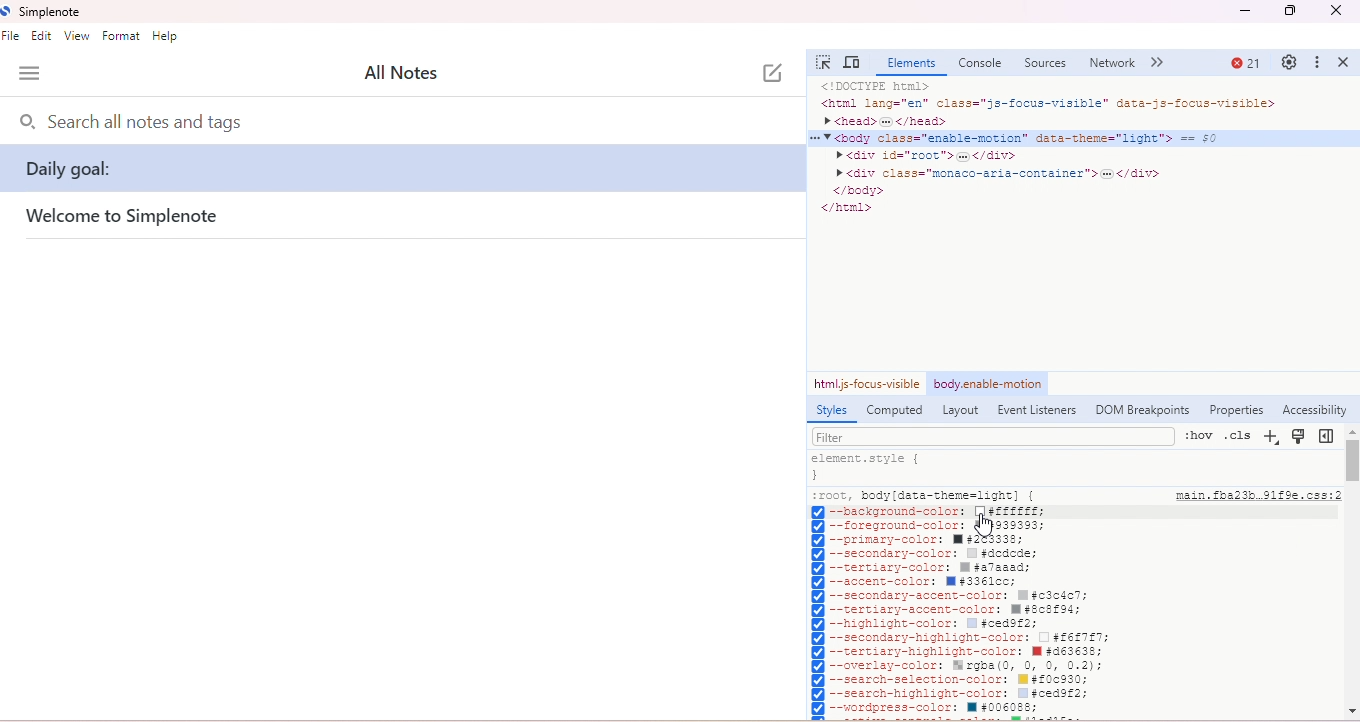 The image size is (1360, 722). I want to click on console, so click(980, 63).